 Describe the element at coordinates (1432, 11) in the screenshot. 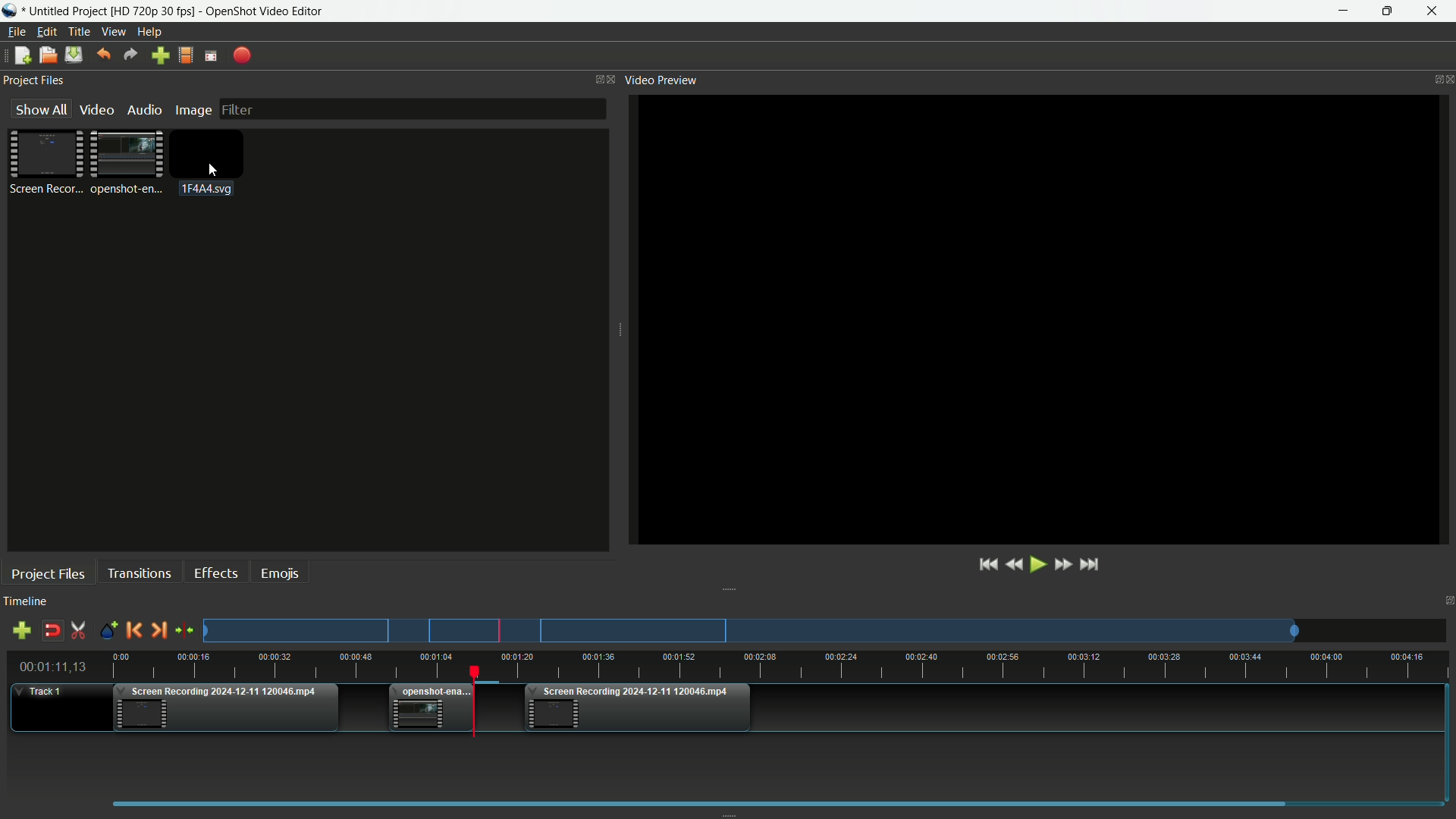

I see `close app` at that location.